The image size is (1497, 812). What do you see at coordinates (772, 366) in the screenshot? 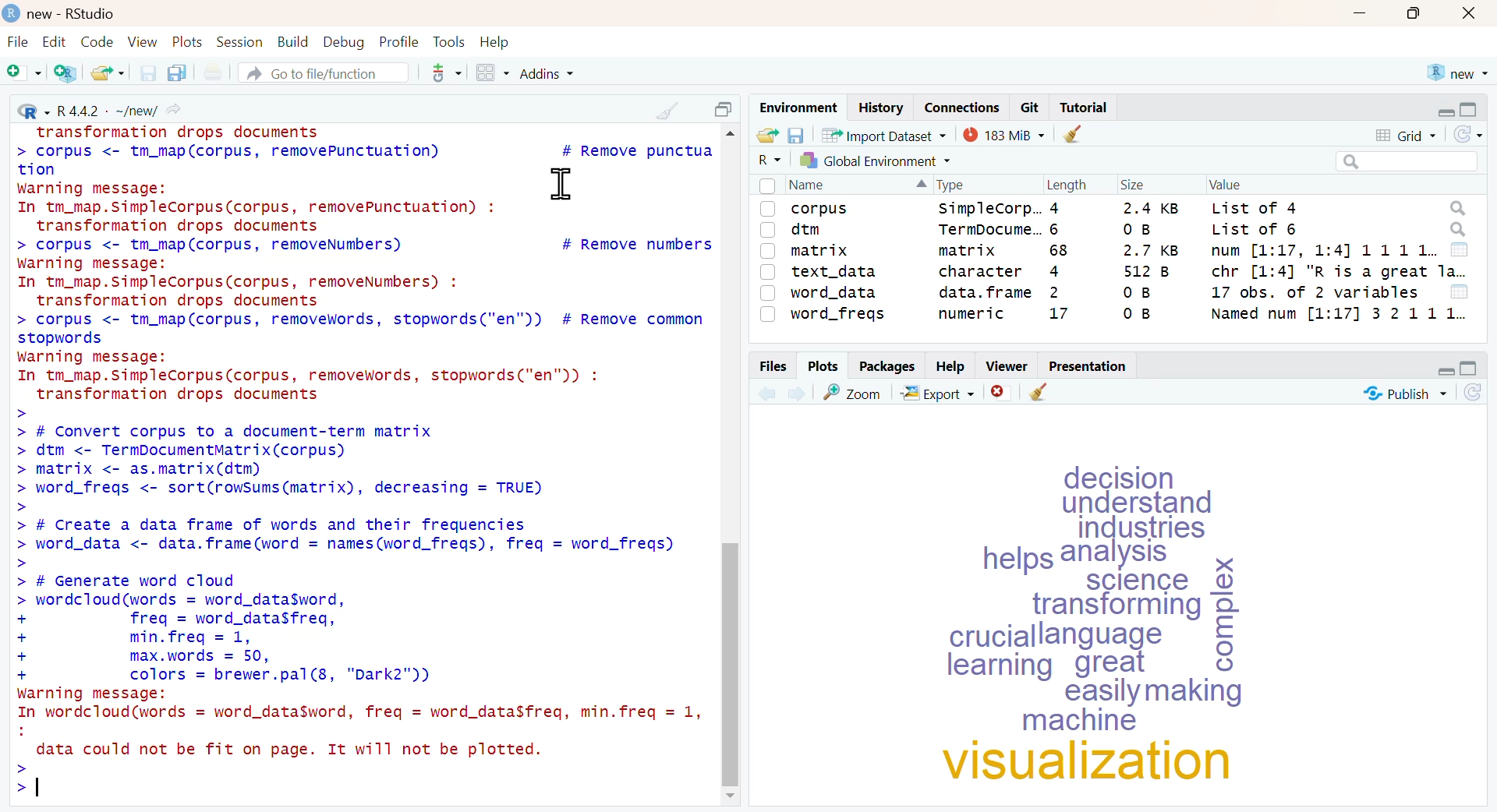
I see `Files` at bounding box center [772, 366].